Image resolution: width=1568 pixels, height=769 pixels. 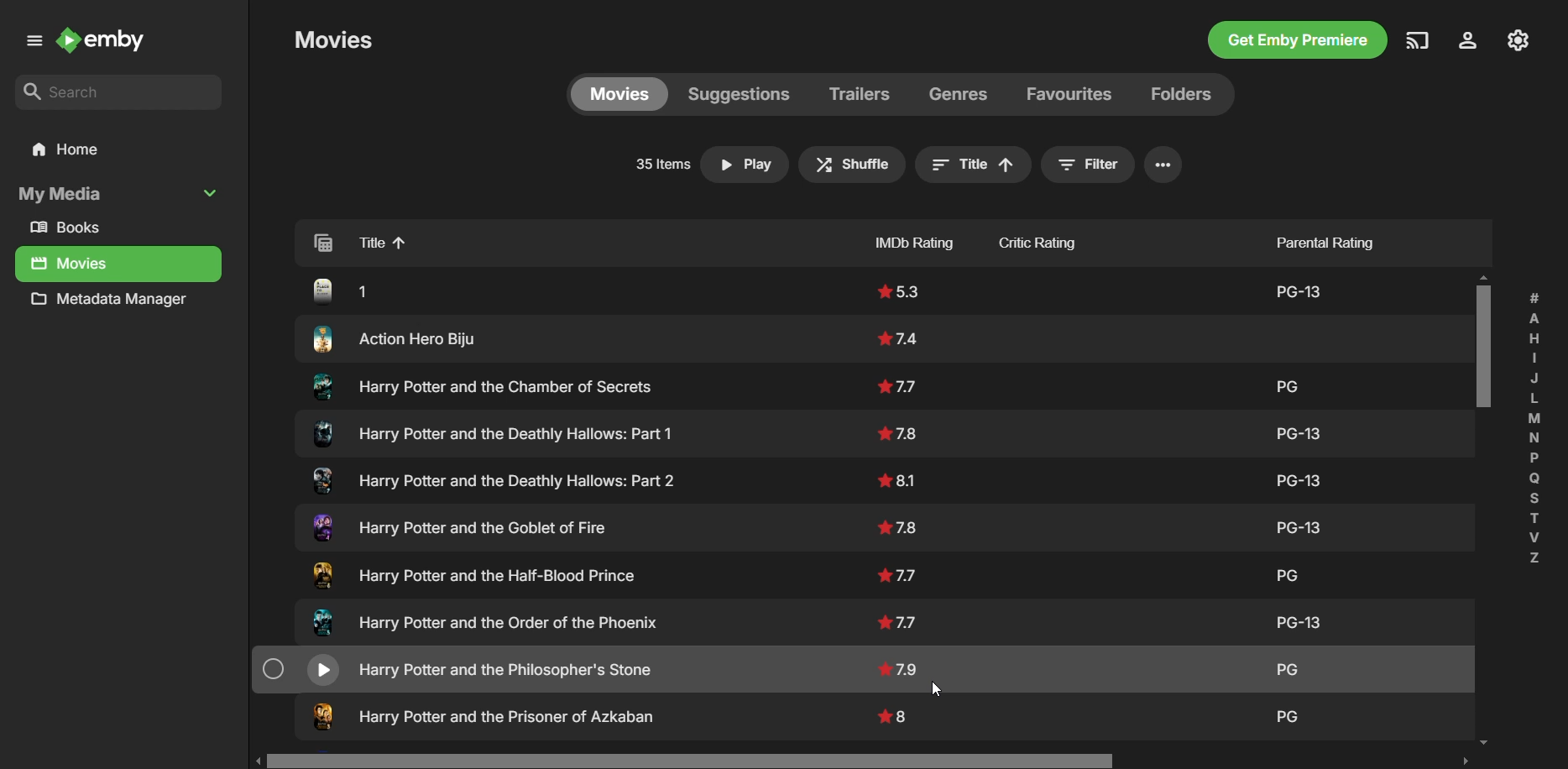 I want to click on Home, so click(x=117, y=150).